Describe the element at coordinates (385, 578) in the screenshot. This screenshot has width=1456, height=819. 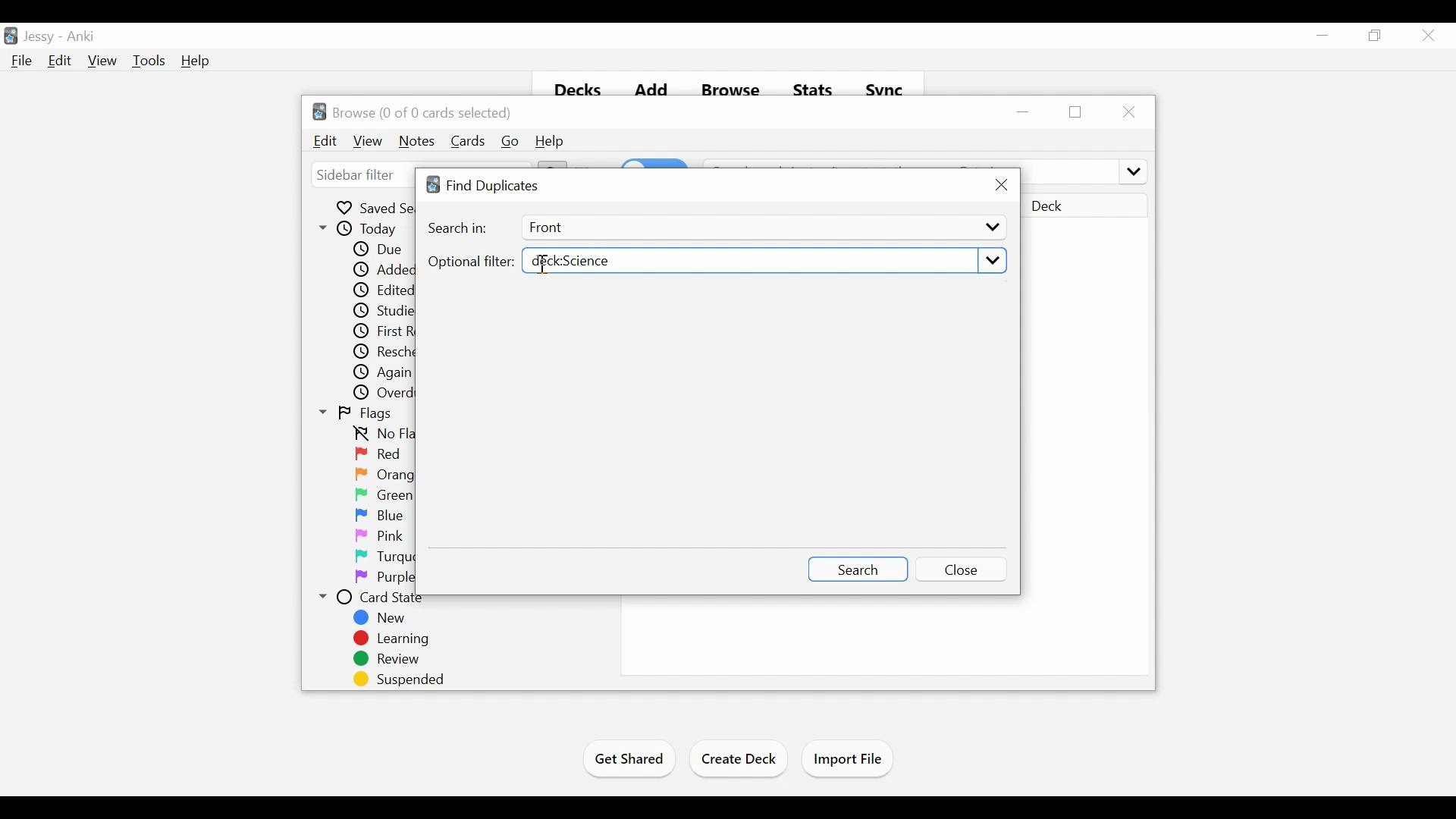
I see `Purple` at that location.